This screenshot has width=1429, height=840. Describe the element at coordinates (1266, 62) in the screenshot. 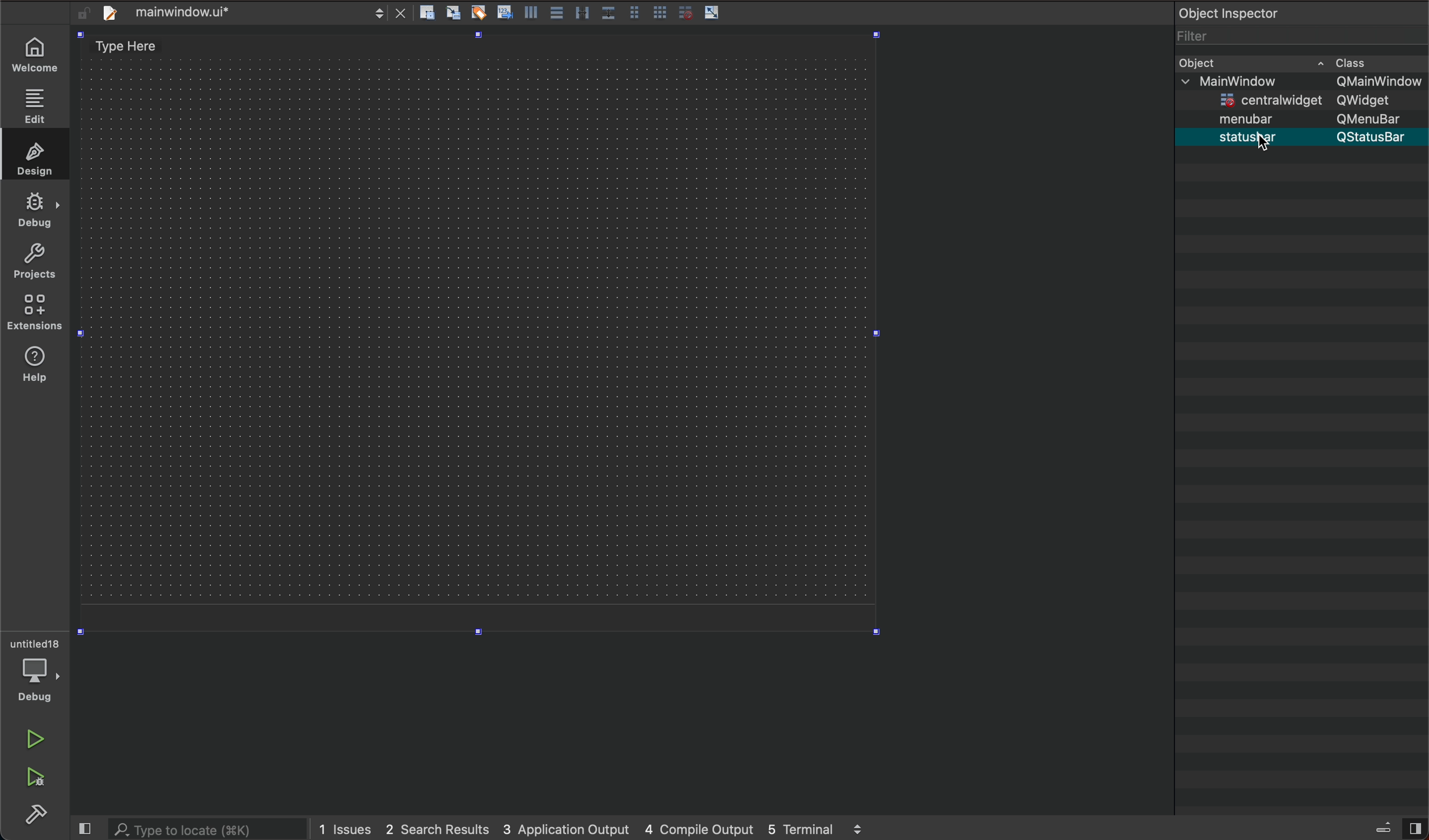

I see `bject cass` at that location.